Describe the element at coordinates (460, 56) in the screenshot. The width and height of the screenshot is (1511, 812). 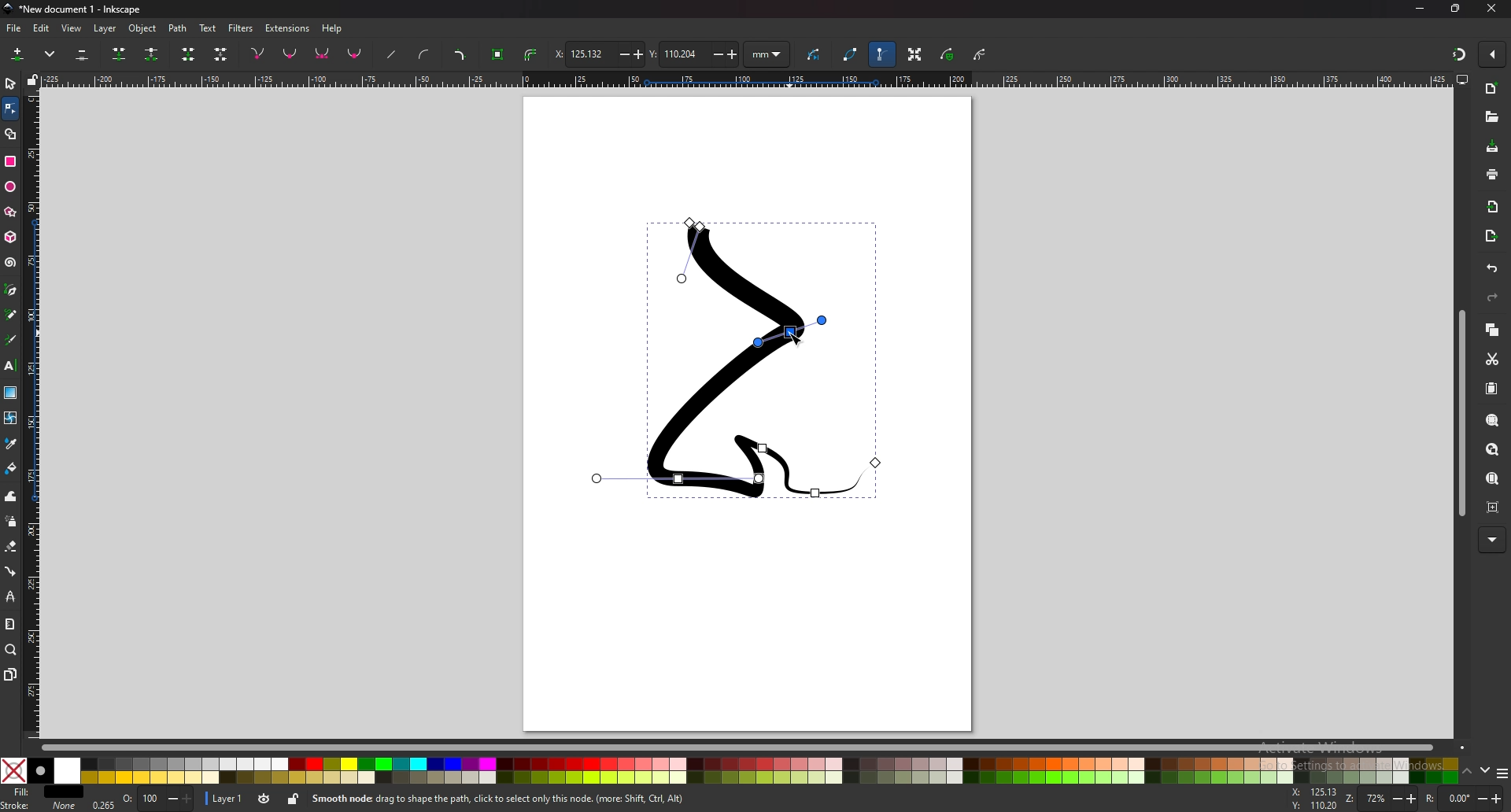
I see `add corners lpe` at that location.